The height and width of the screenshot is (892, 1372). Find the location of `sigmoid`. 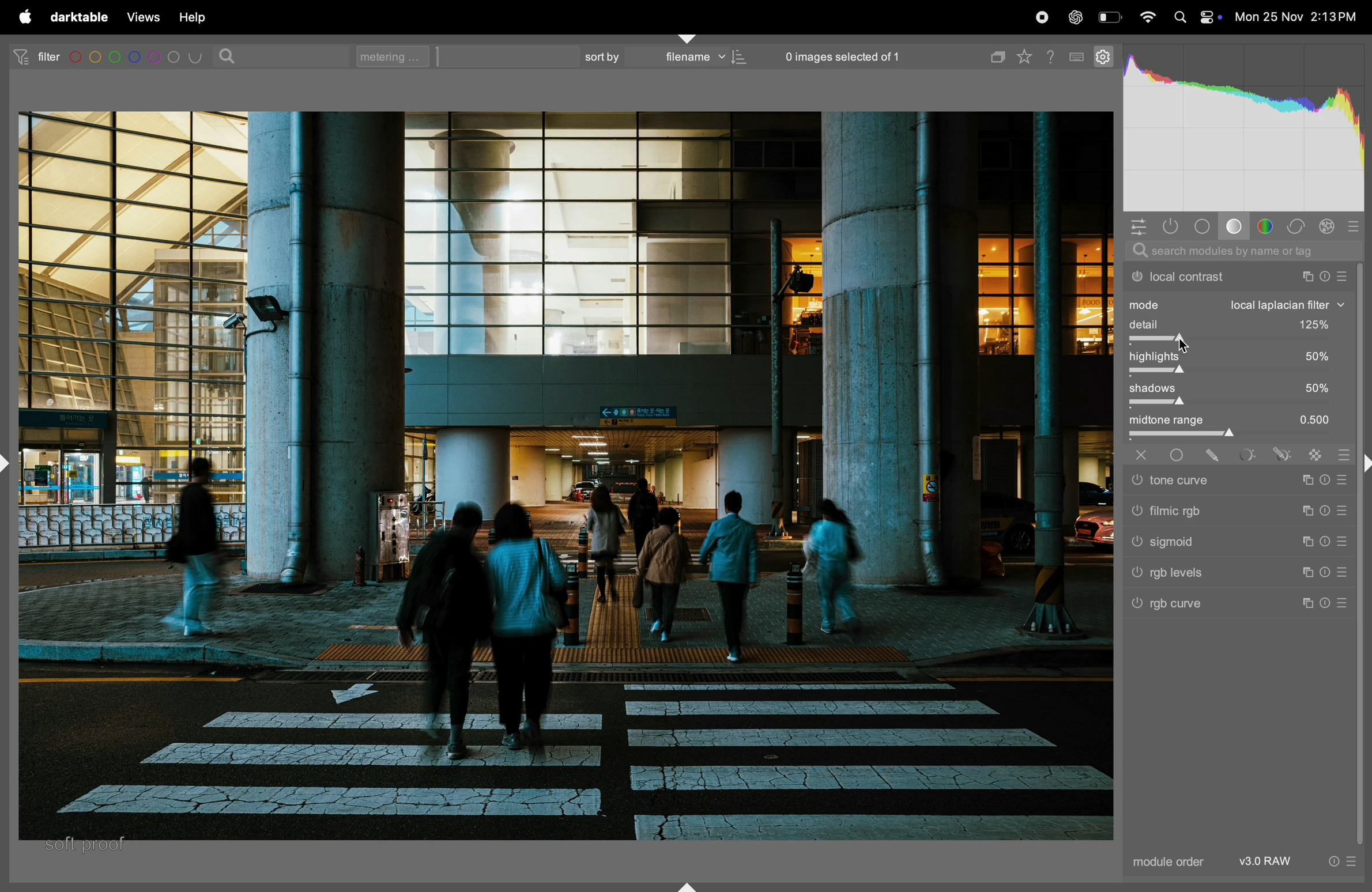

sigmoid is located at coordinates (1229, 542).